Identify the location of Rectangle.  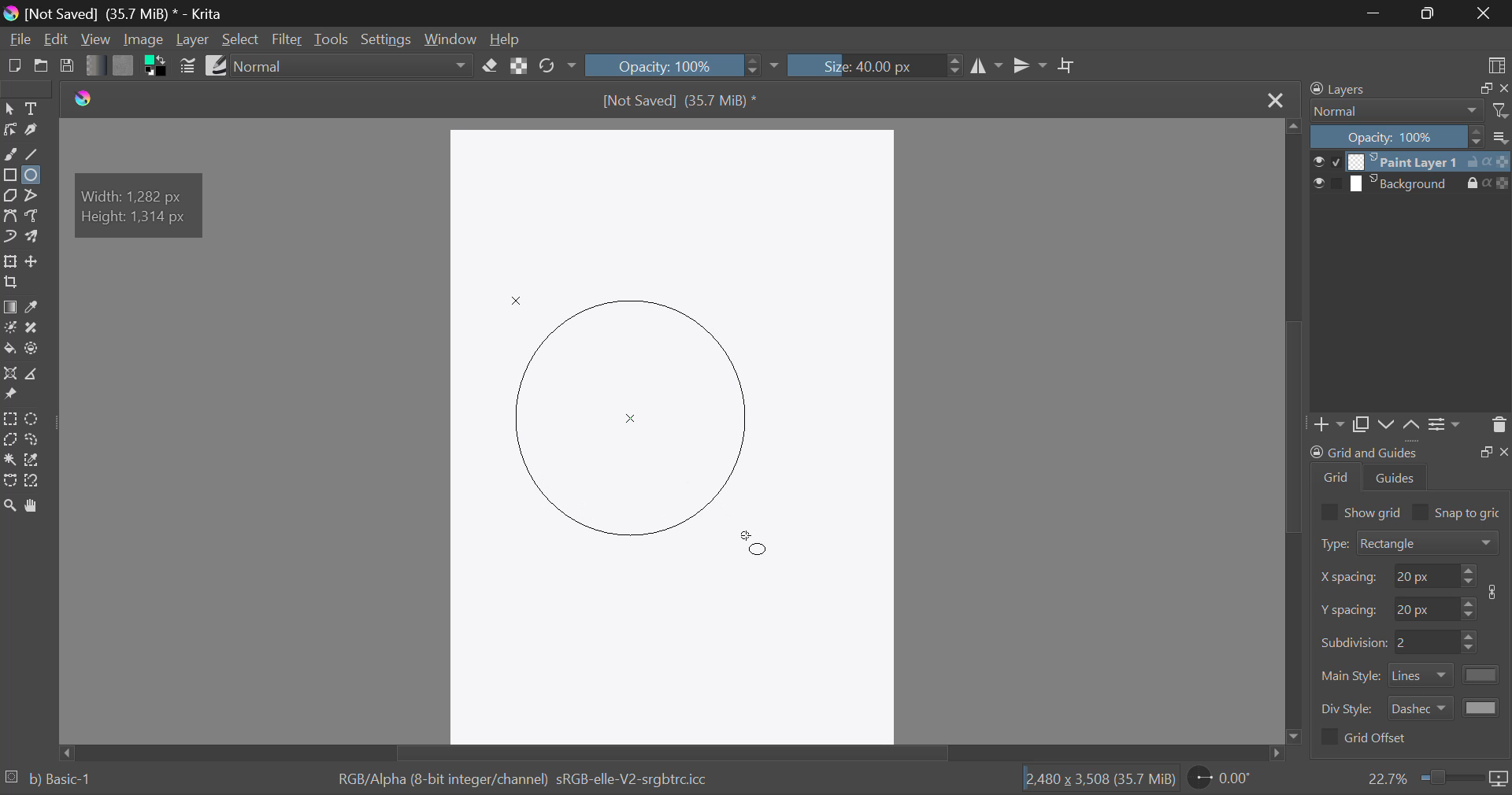
(11, 174).